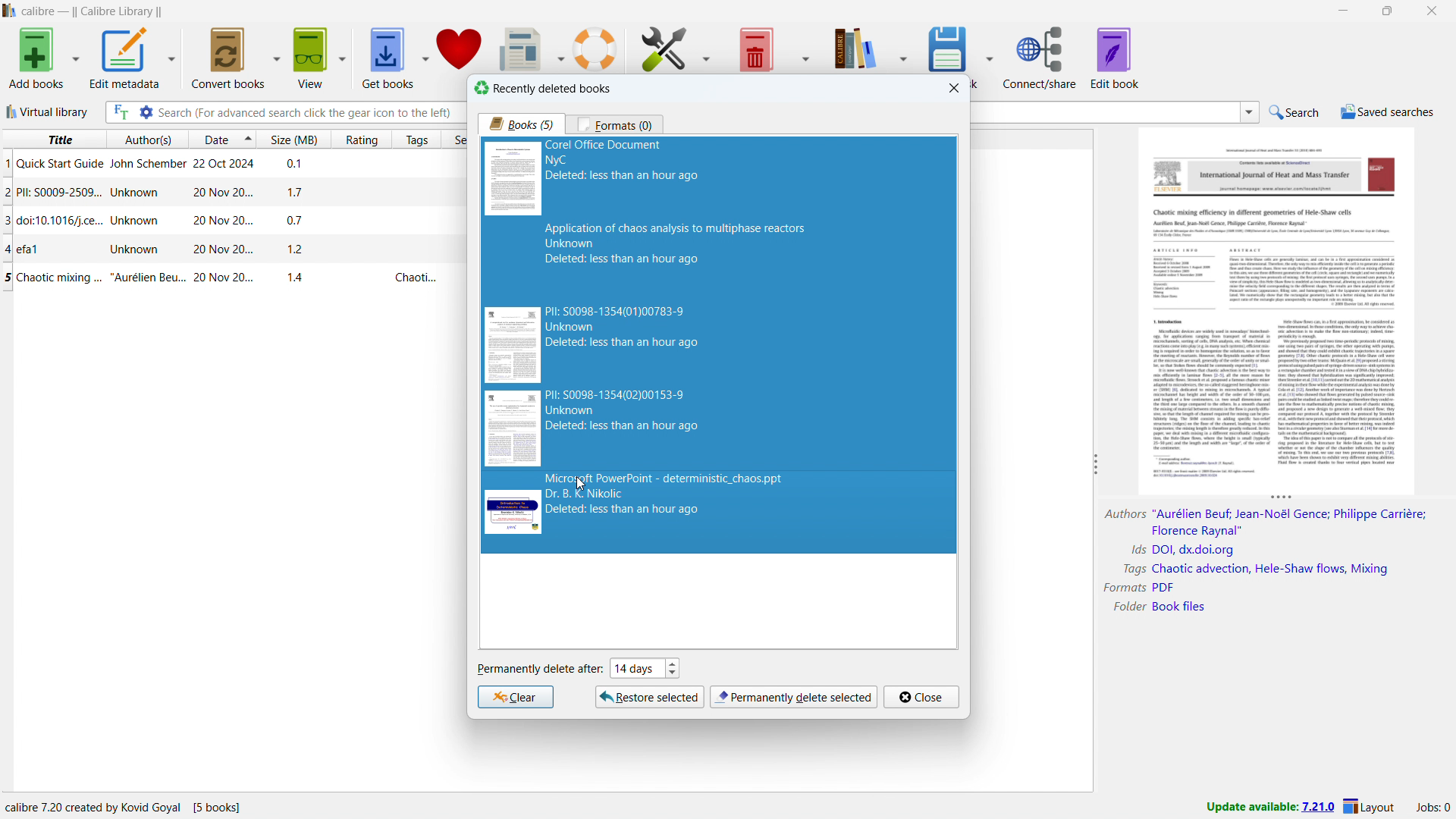 The height and width of the screenshot is (819, 1456). I want to click on view options, so click(342, 57).